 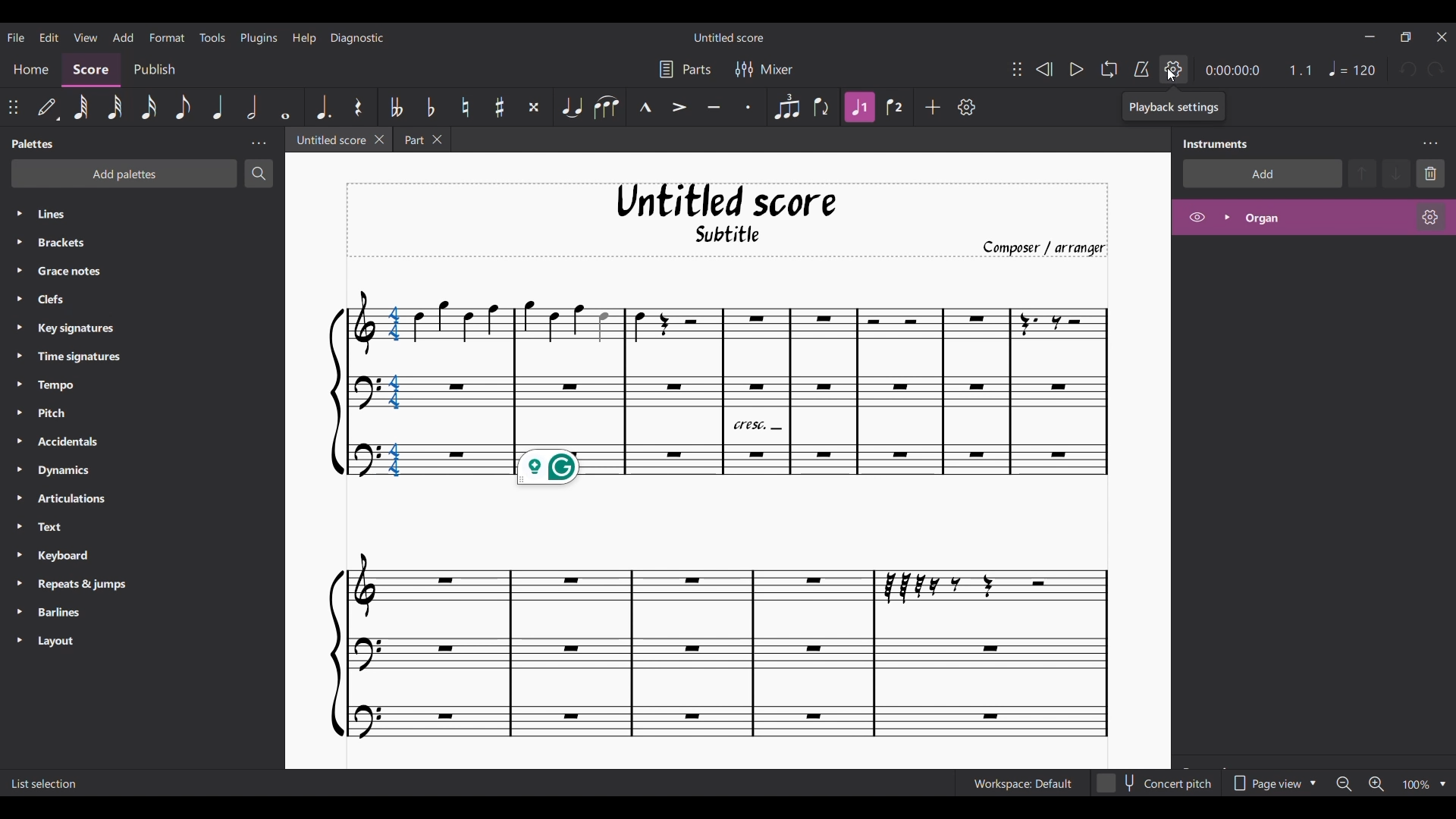 I want to click on Voice 2, so click(x=894, y=106).